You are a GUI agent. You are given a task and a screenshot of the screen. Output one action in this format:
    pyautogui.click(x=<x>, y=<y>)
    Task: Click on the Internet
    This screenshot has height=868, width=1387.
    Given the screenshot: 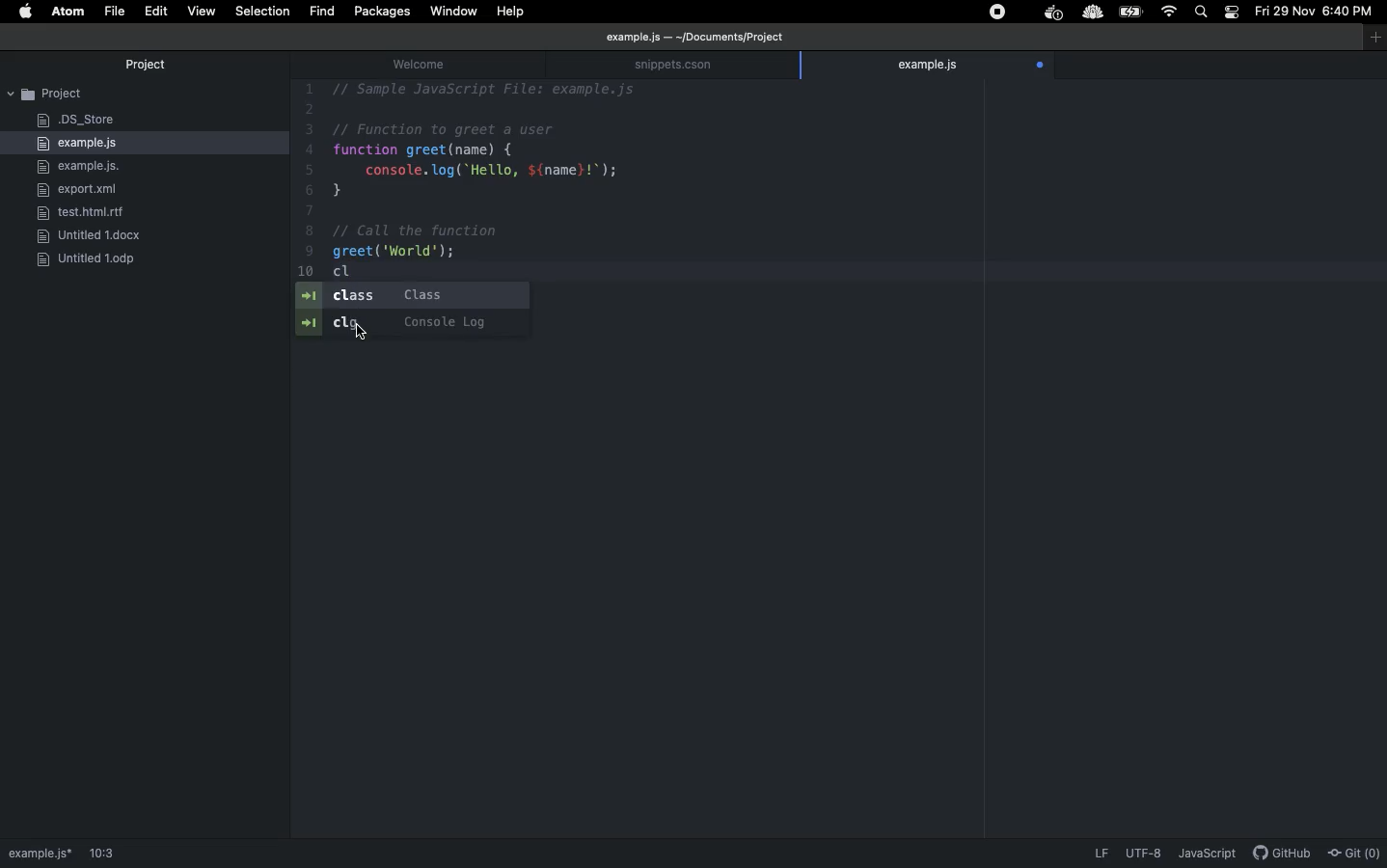 What is the action you would take?
    pyautogui.click(x=1169, y=12)
    